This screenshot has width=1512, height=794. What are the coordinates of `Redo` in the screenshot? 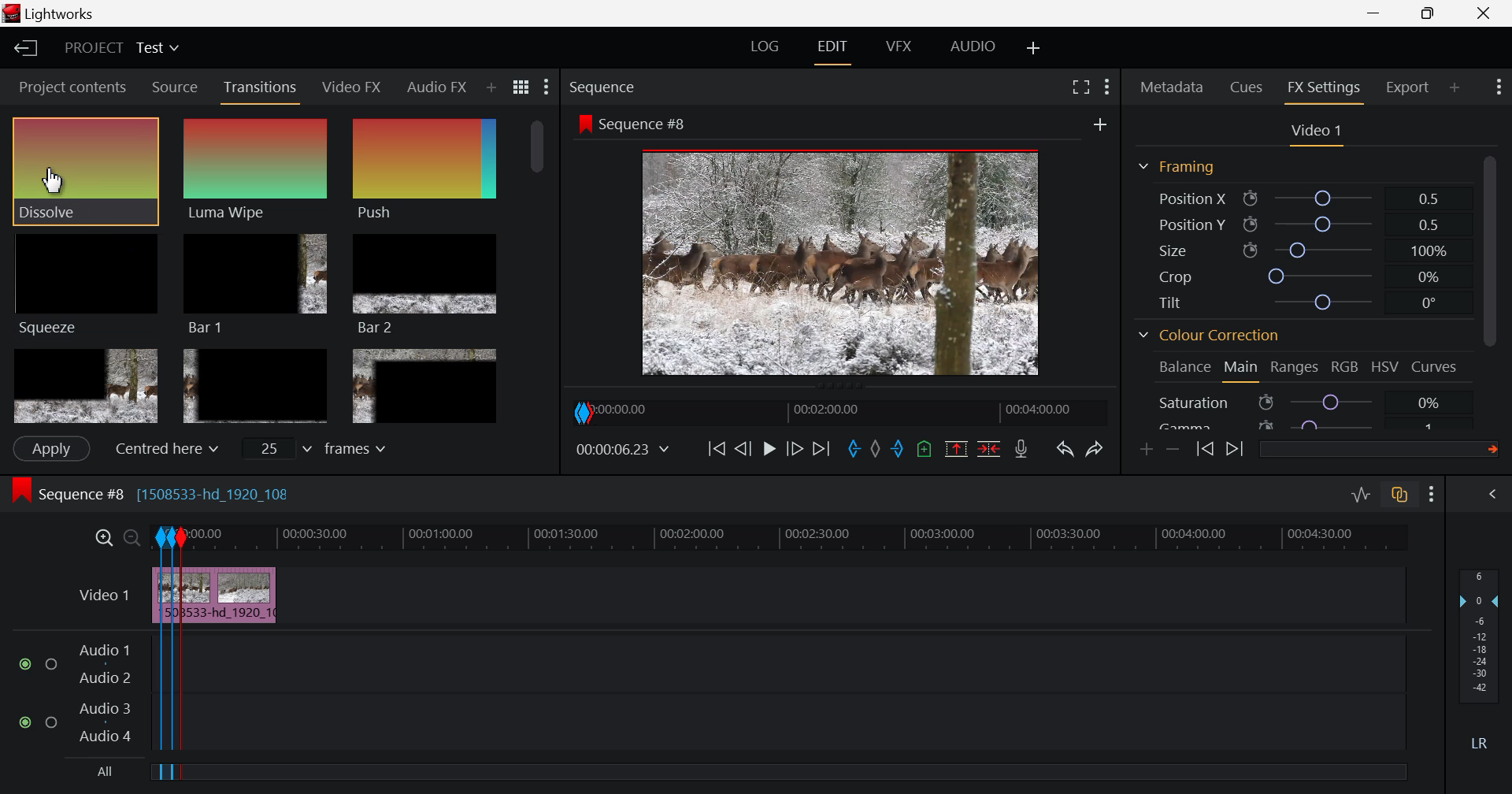 It's located at (1096, 445).